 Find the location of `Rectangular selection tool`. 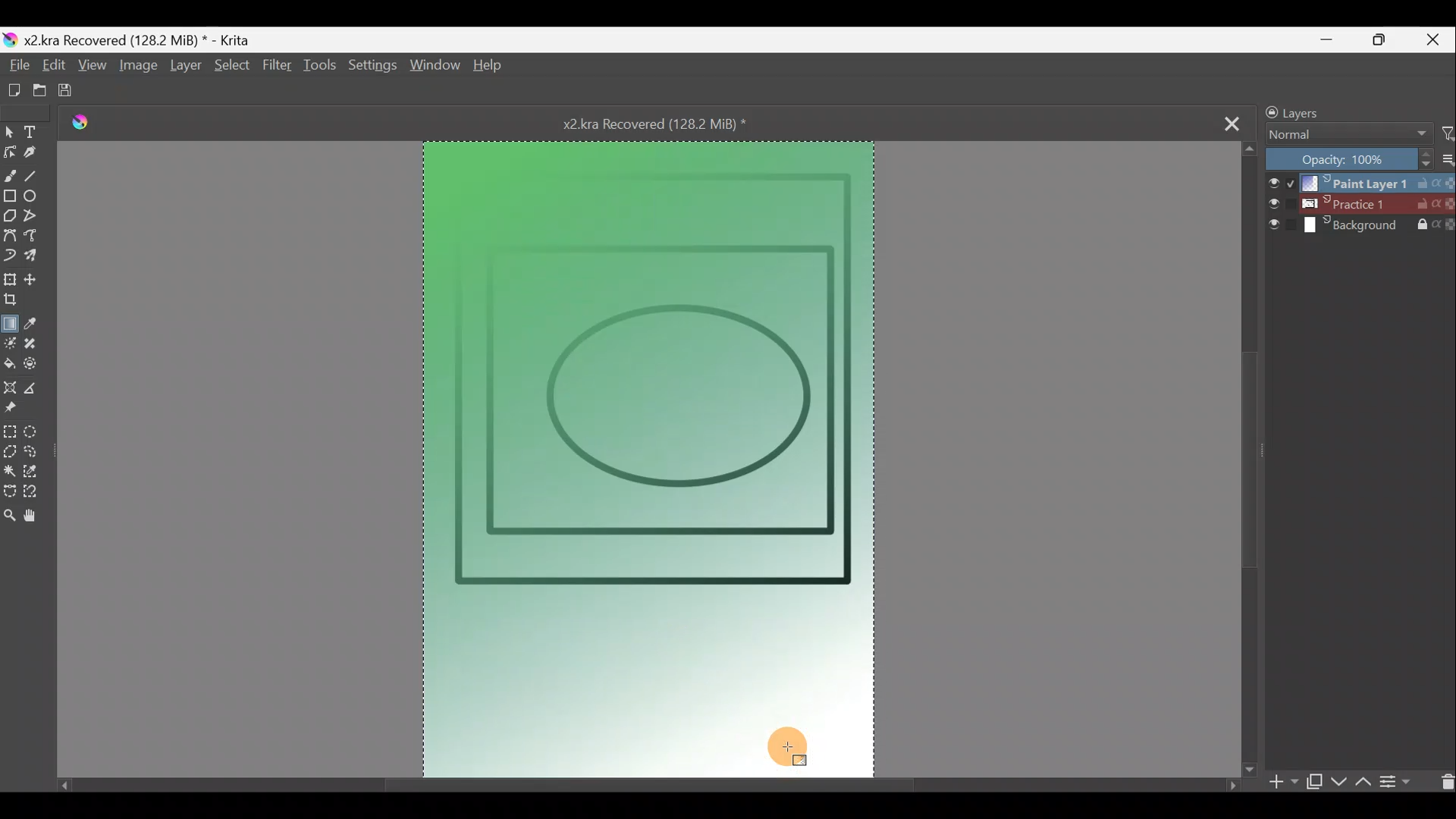

Rectangular selection tool is located at coordinates (9, 434).